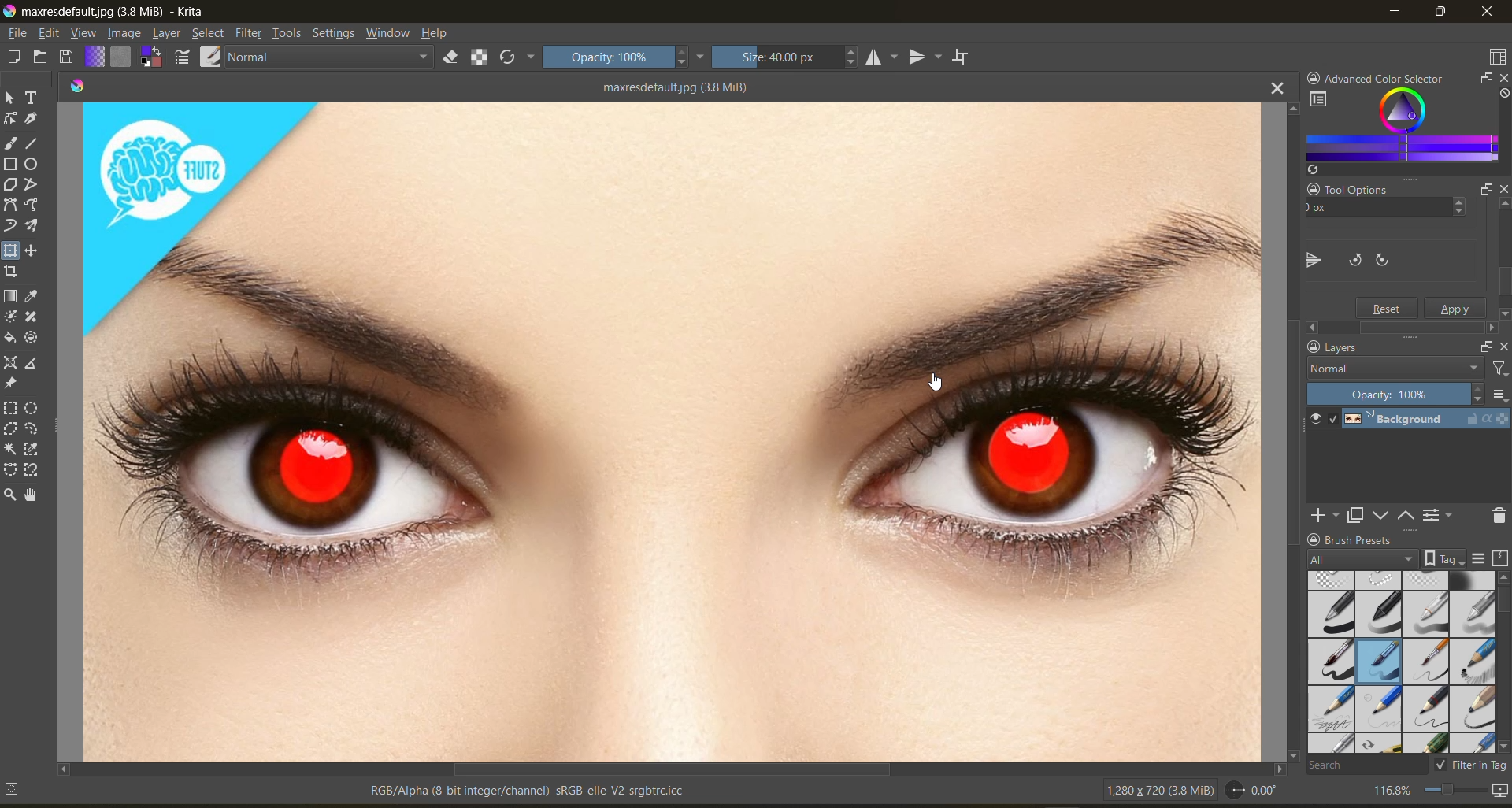  What do you see at coordinates (1454, 309) in the screenshot?
I see `apply` at bounding box center [1454, 309].